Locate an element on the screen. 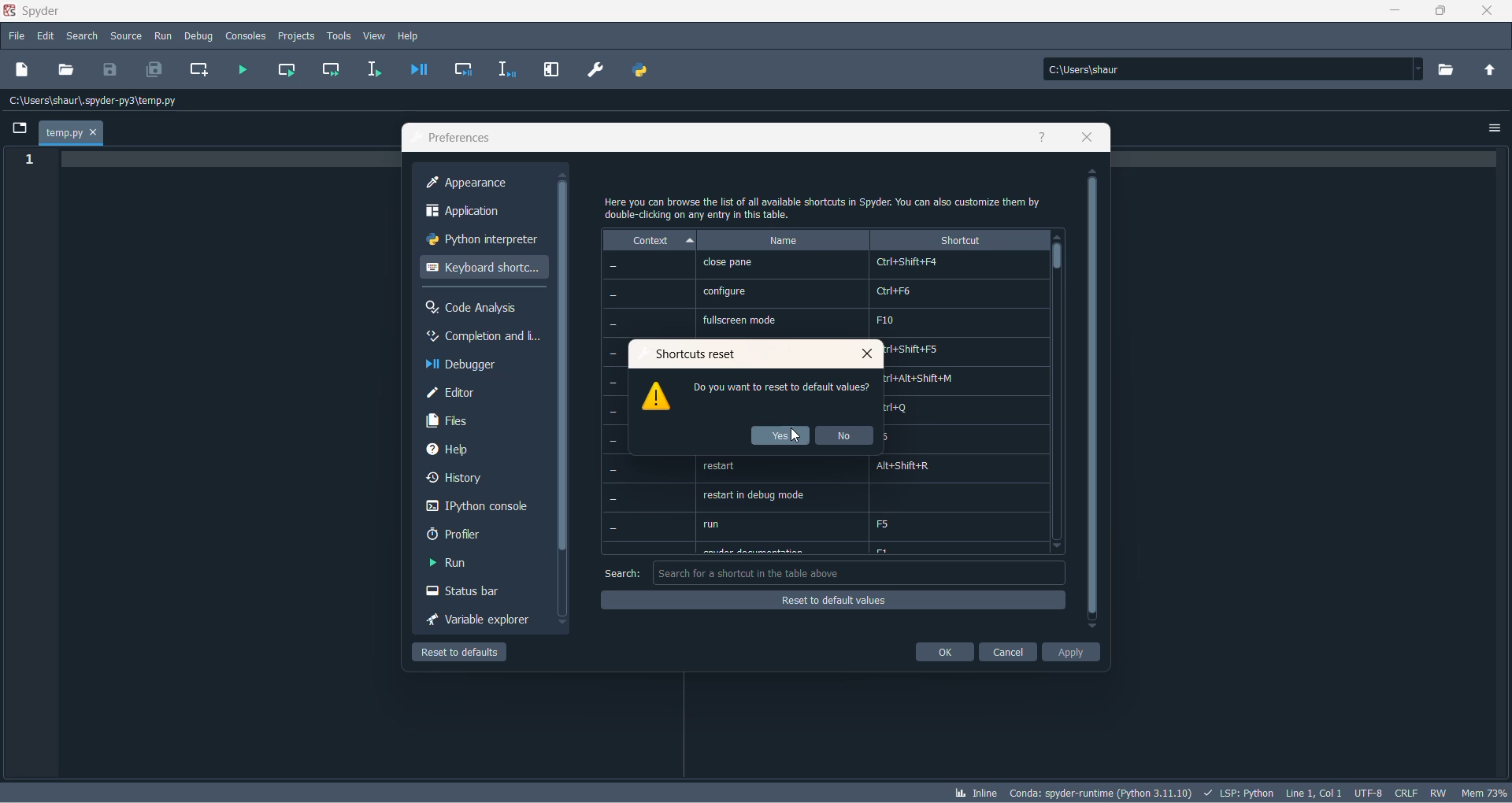 The width and height of the screenshot is (1512, 803). name is located at coordinates (784, 239).